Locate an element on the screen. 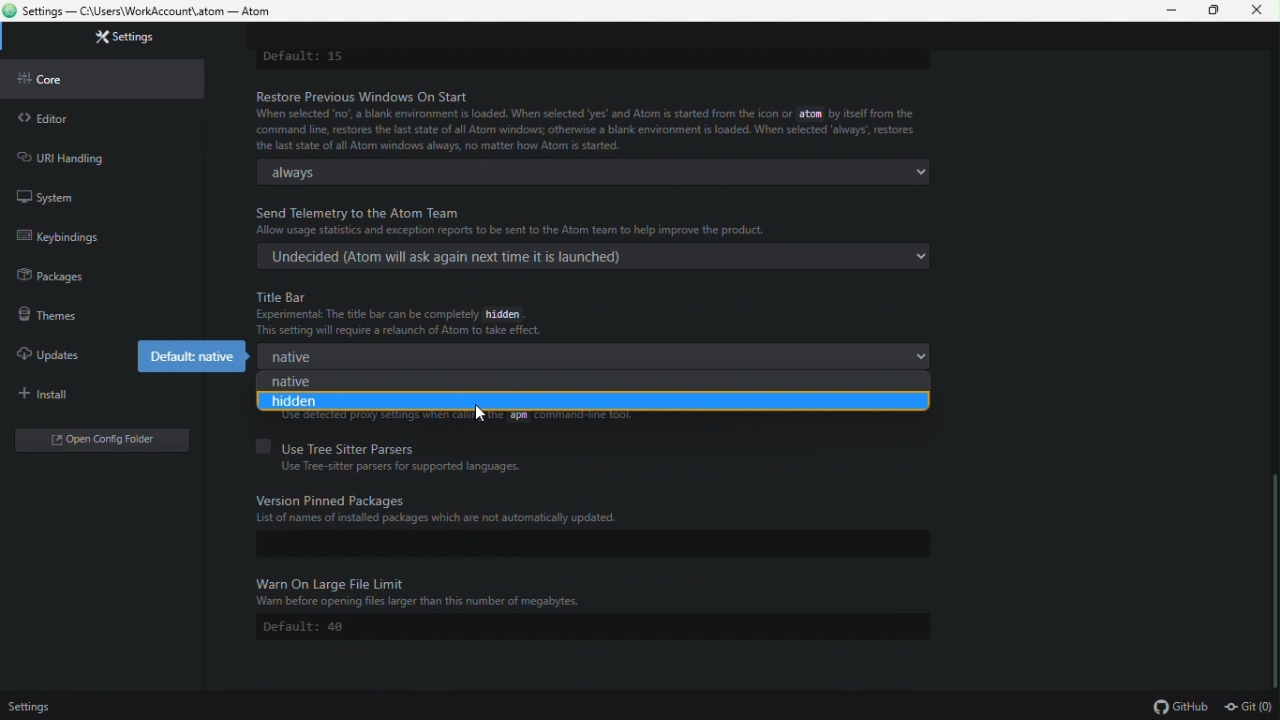 This screenshot has width=1280, height=720. core is located at coordinates (104, 76).